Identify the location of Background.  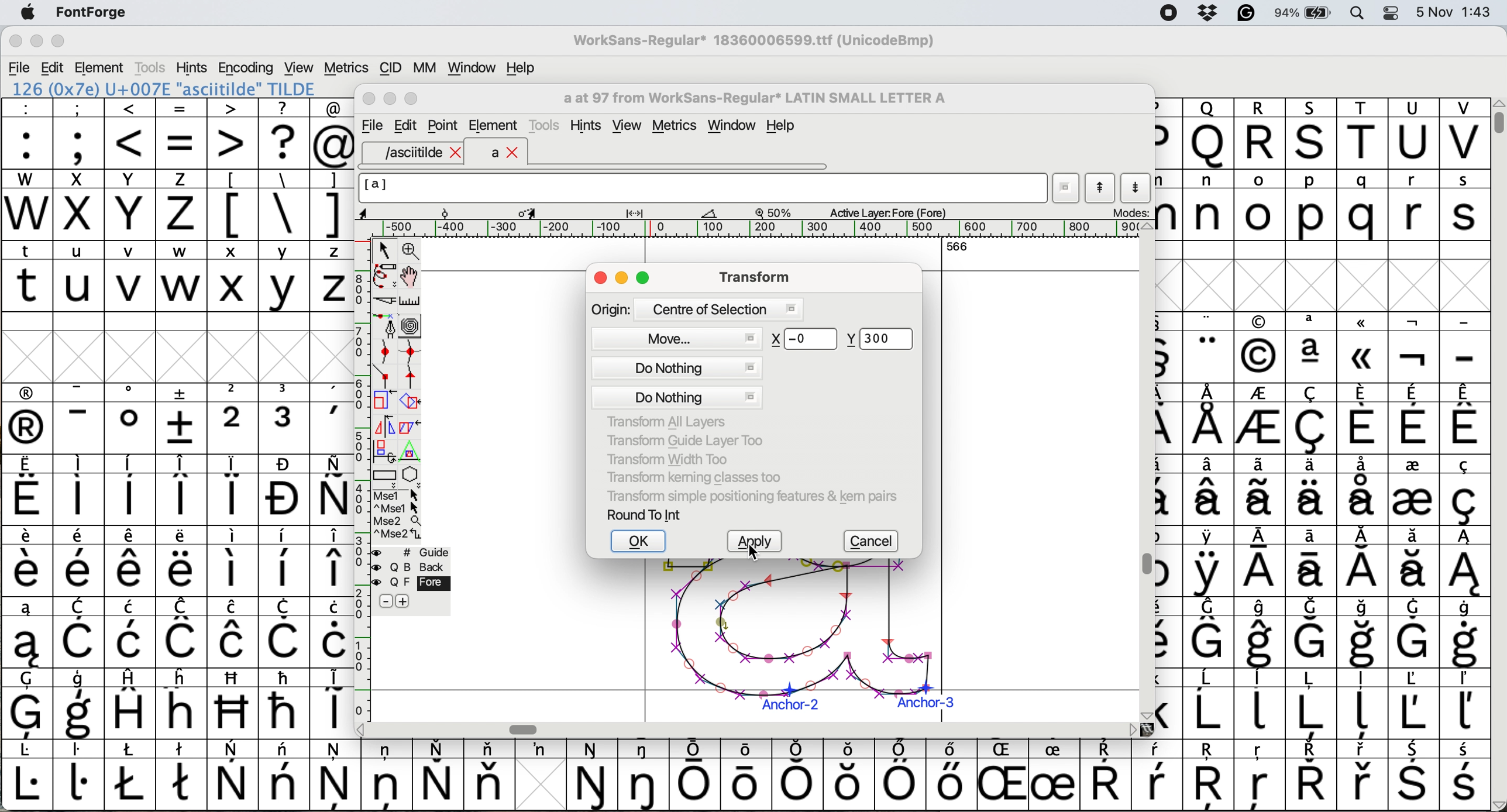
(424, 567).